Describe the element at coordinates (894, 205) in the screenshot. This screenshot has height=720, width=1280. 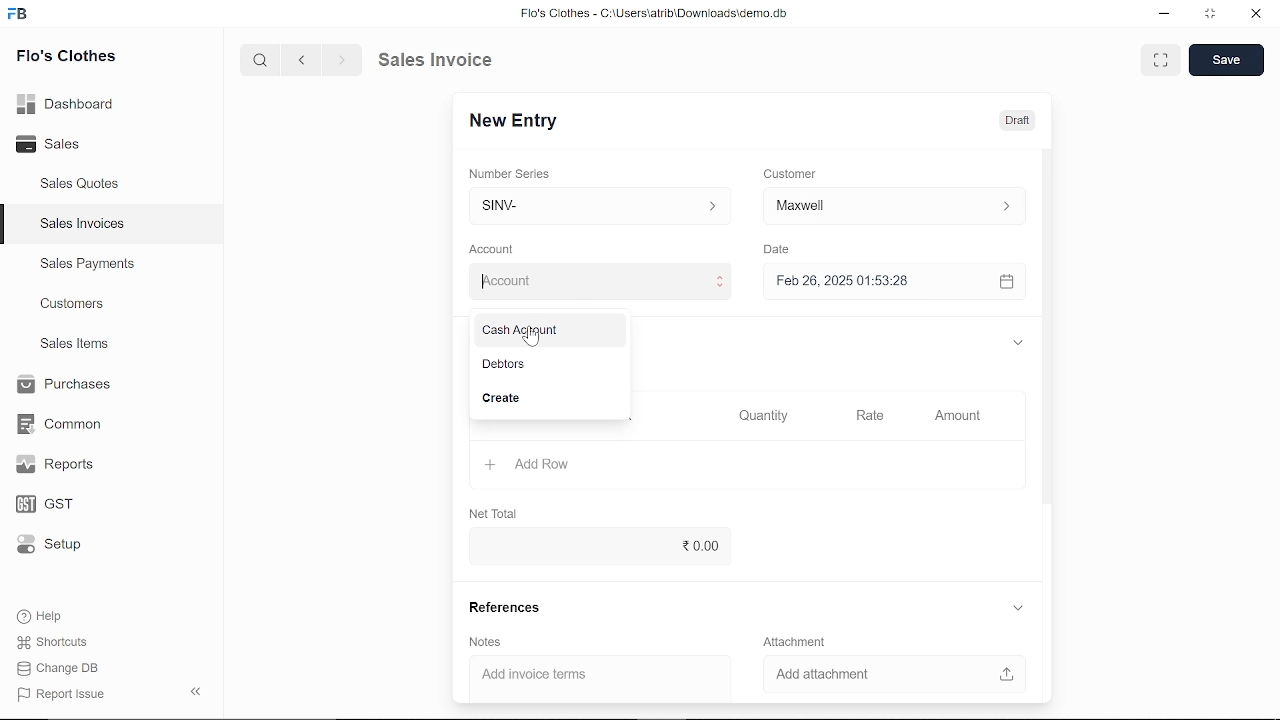
I see `Customer` at that location.